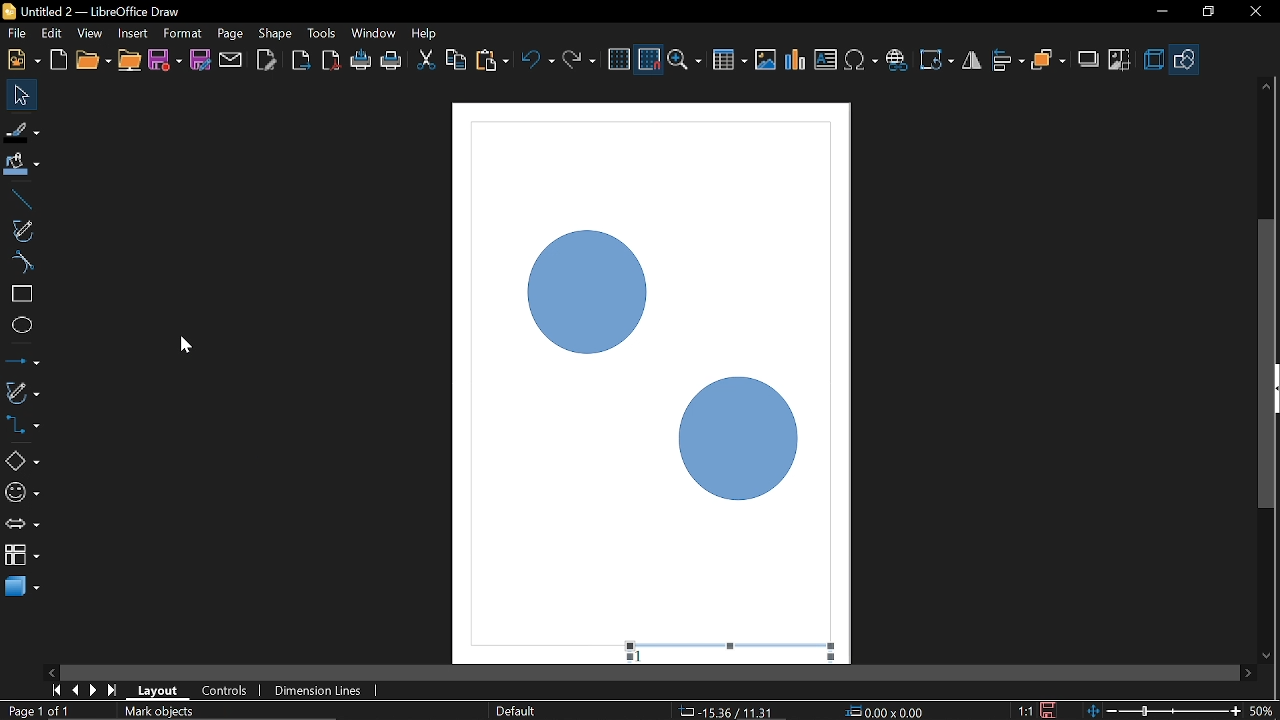 The width and height of the screenshot is (1280, 720). What do you see at coordinates (22, 496) in the screenshot?
I see `symbol shapes` at bounding box center [22, 496].